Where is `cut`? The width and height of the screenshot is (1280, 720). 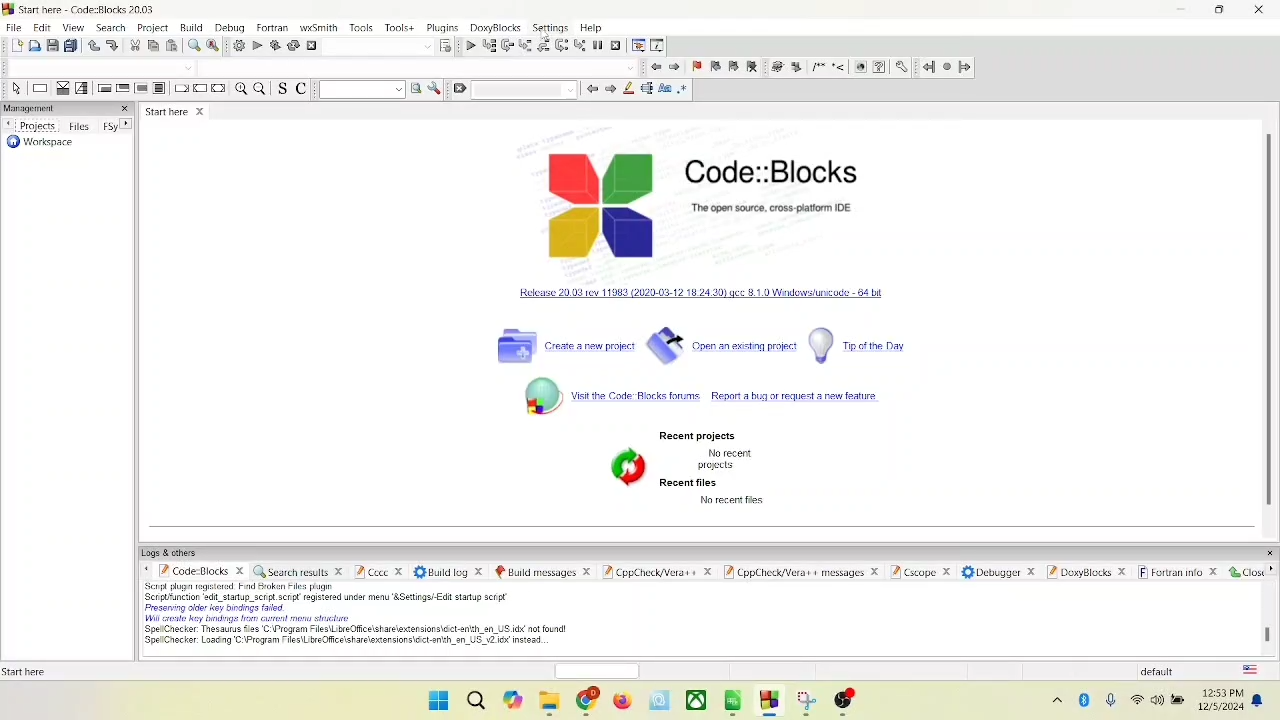
cut is located at coordinates (134, 45).